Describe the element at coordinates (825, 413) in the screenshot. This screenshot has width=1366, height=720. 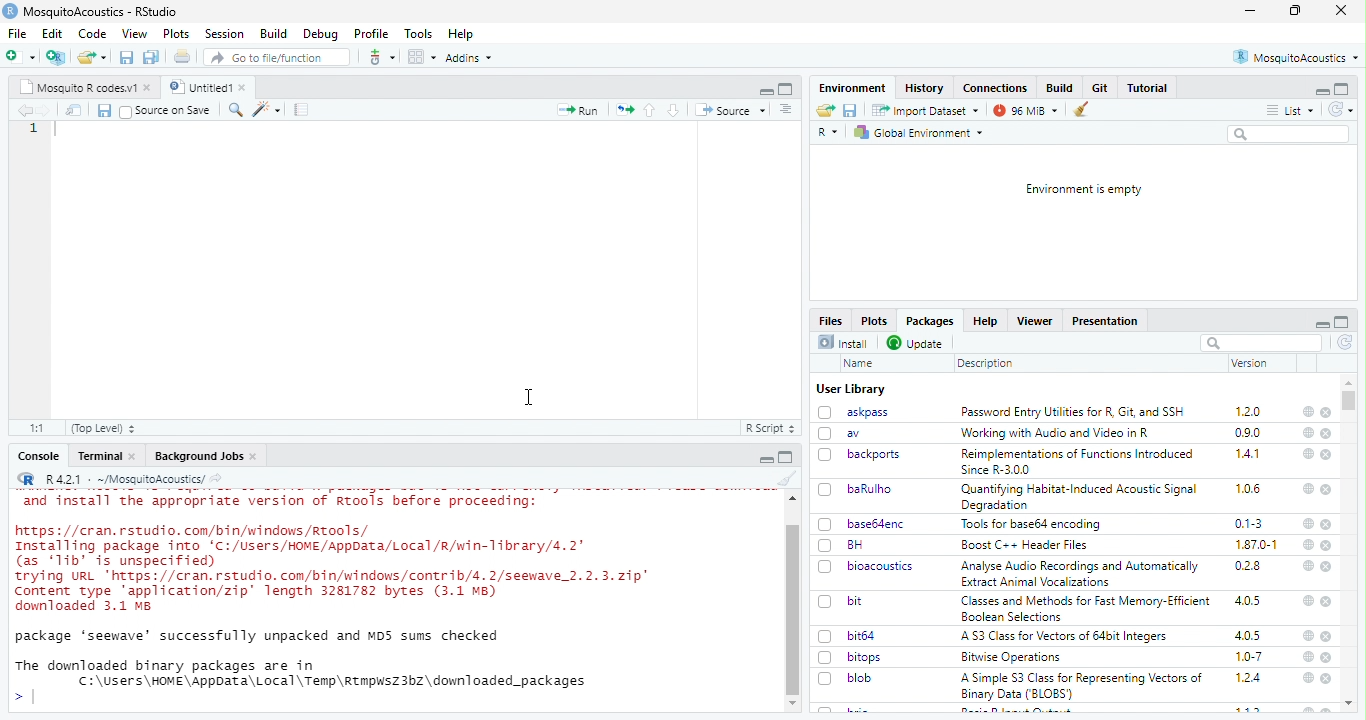
I see `checkbox` at that location.